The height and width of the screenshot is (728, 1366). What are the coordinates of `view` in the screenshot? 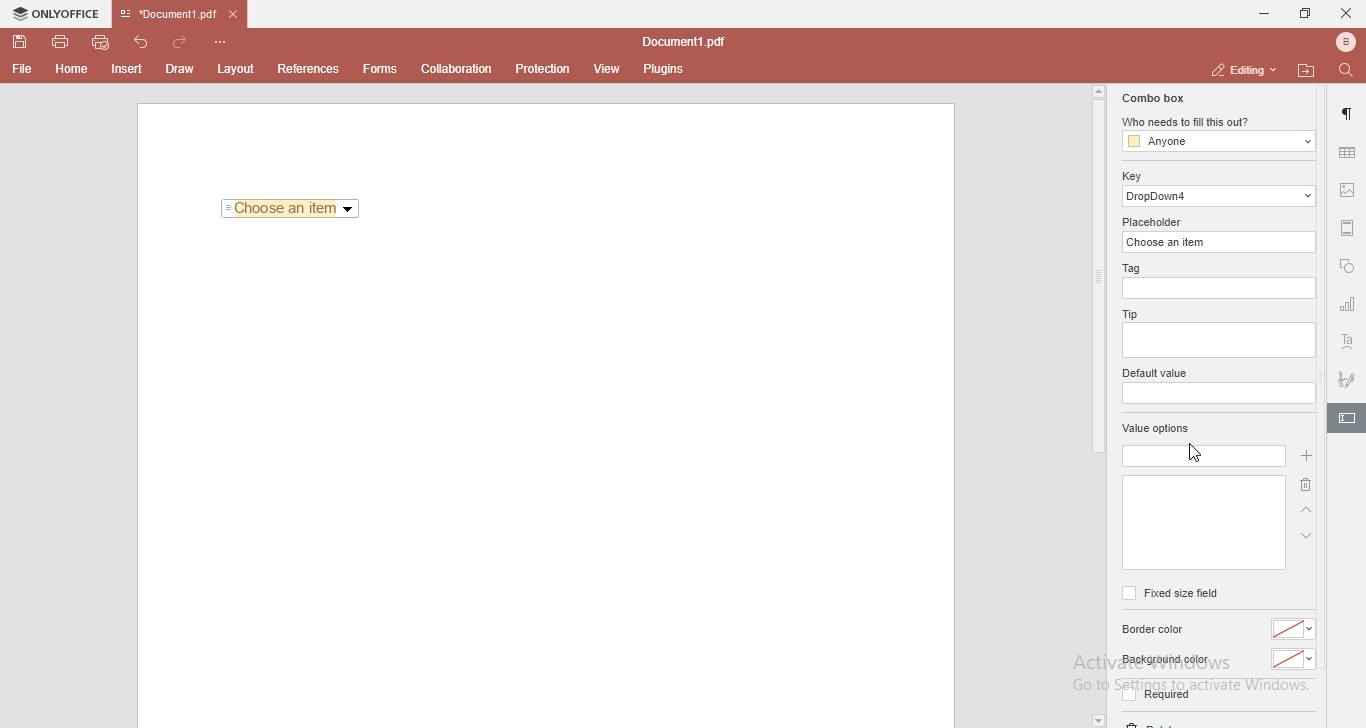 It's located at (608, 69).